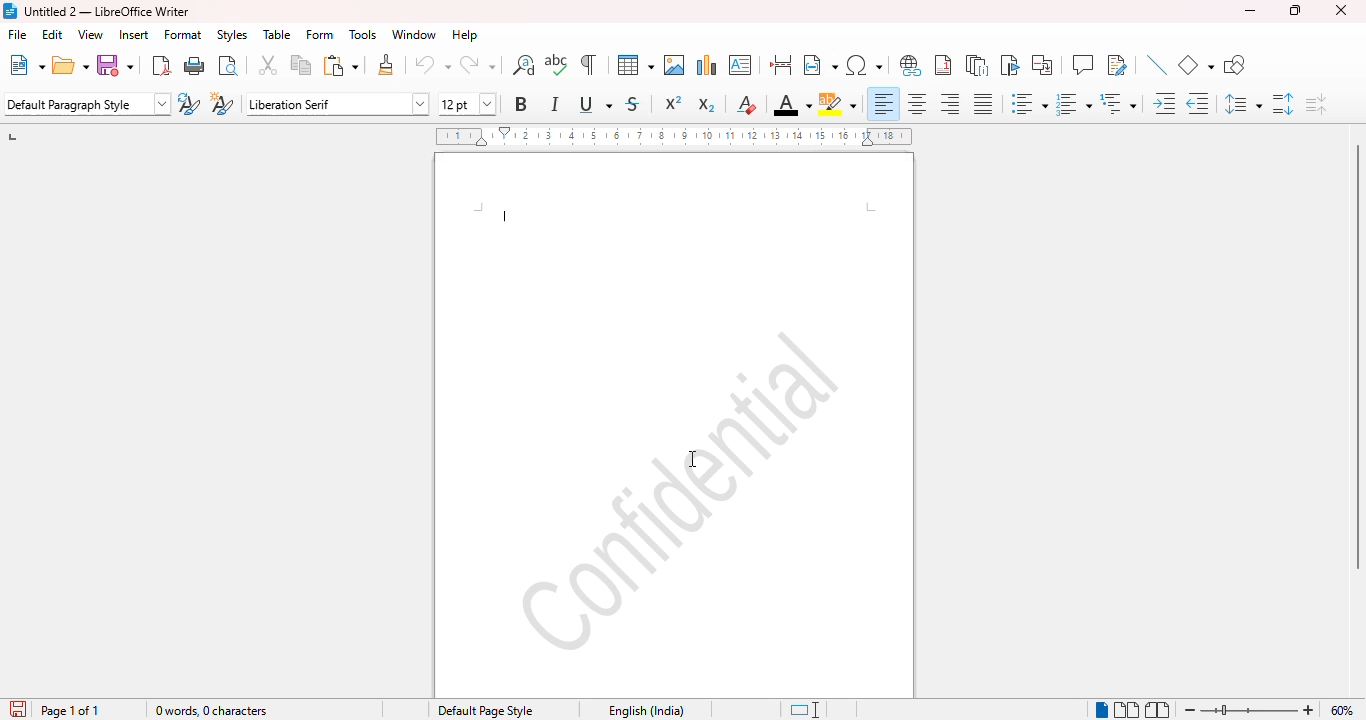  I want to click on bold, so click(520, 103).